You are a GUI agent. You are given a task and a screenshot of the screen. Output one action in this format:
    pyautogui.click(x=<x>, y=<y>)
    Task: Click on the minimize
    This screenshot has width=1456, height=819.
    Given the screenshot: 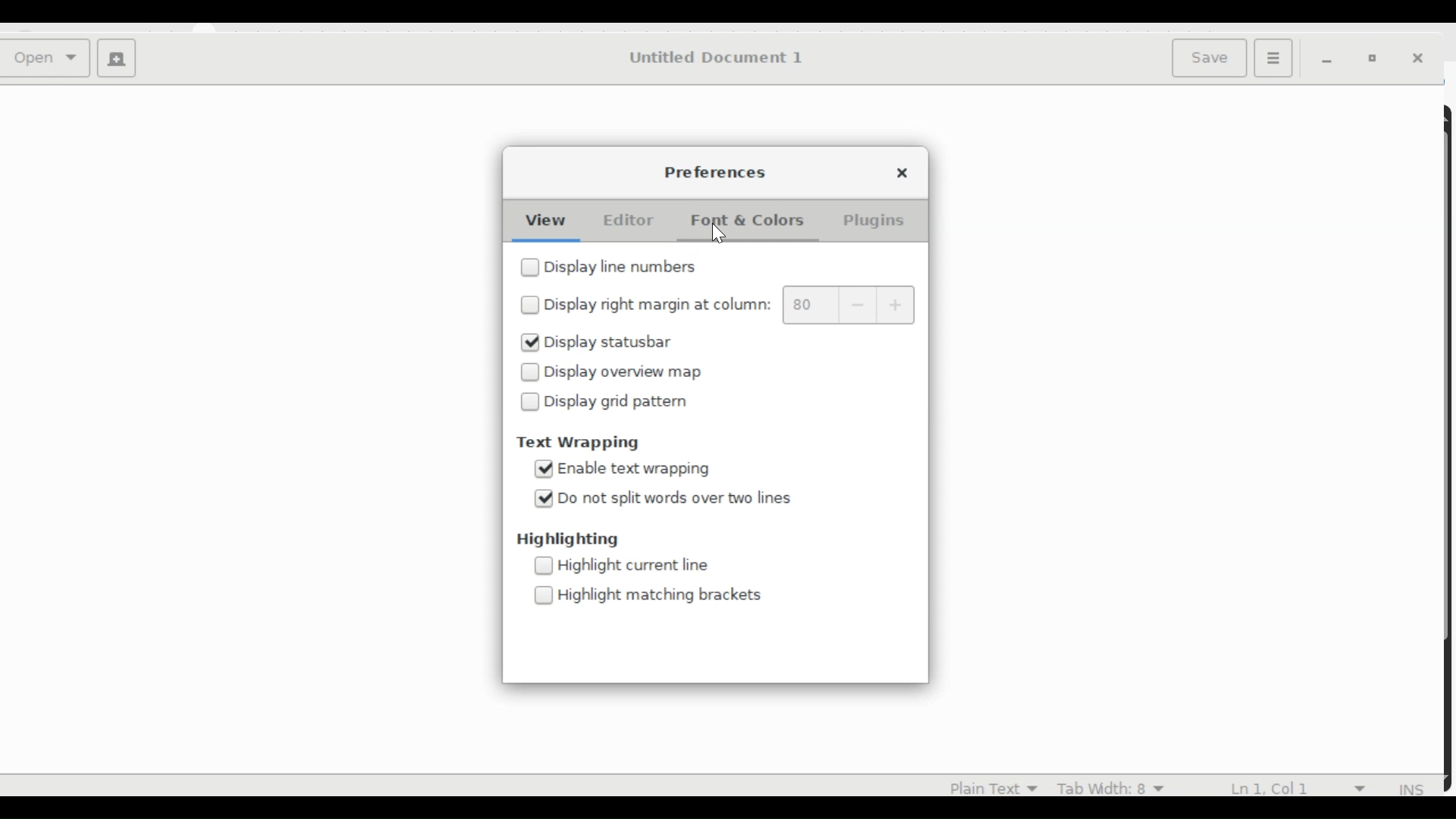 What is the action you would take?
    pyautogui.click(x=1330, y=60)
    